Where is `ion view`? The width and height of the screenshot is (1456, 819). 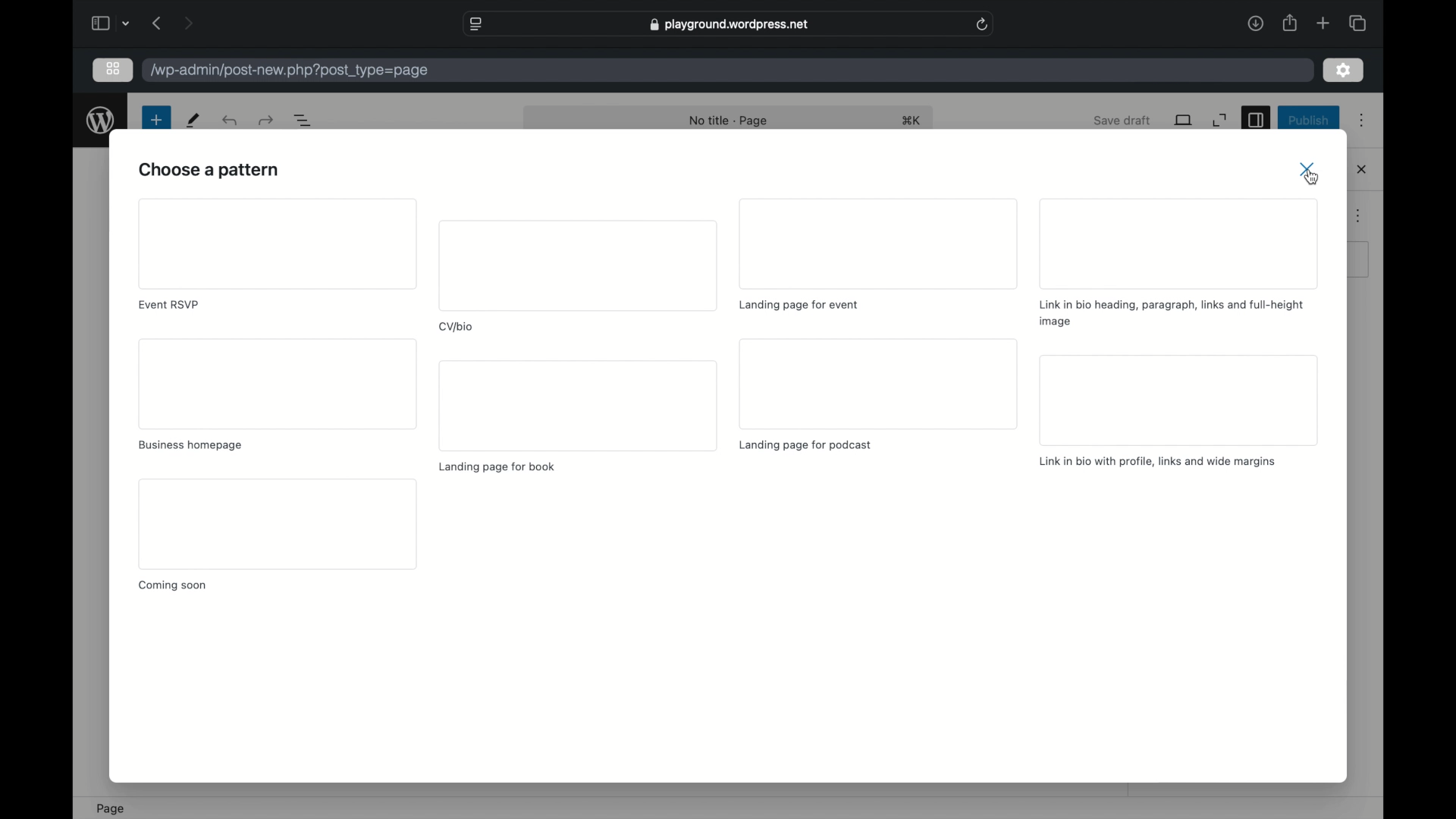
ion view is located at coordinates (114, 68).